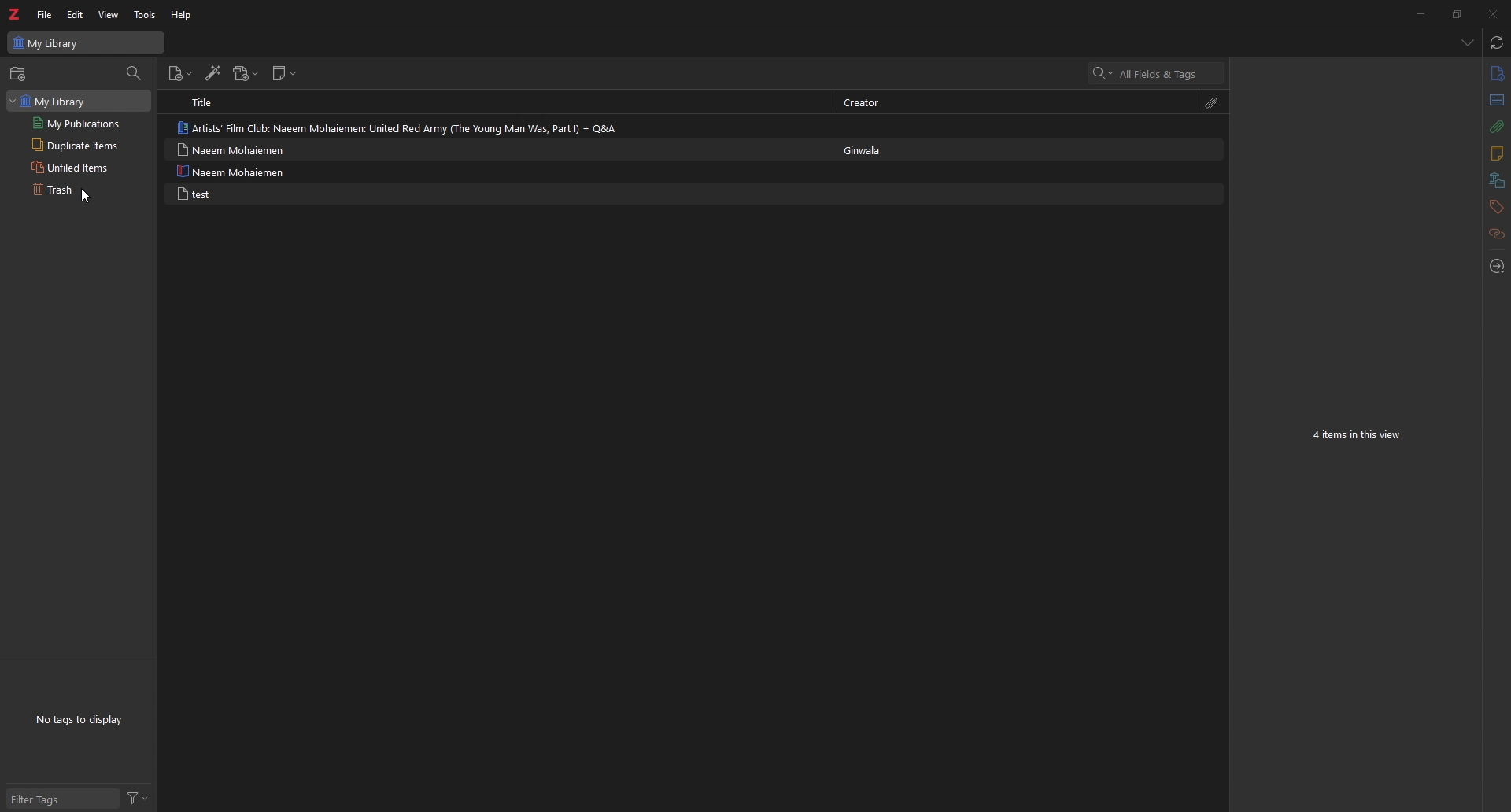 This screenshot has width=1511, height=812. I want to click on filter, so click(140, 798).